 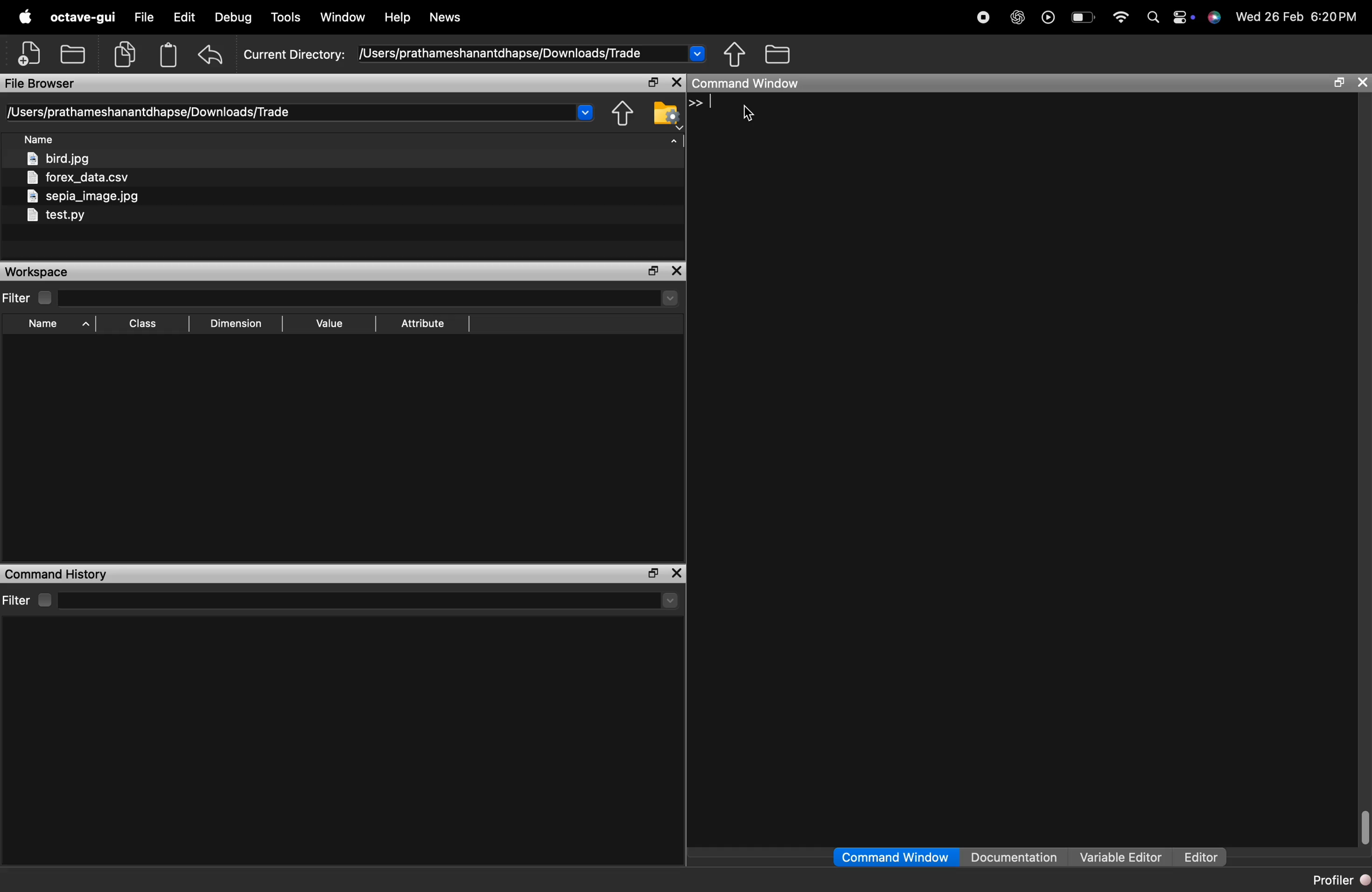 What do you see at coordinates (235, 326) in the screenshot?
I see `Dimension` at bounding box center [235, 326].